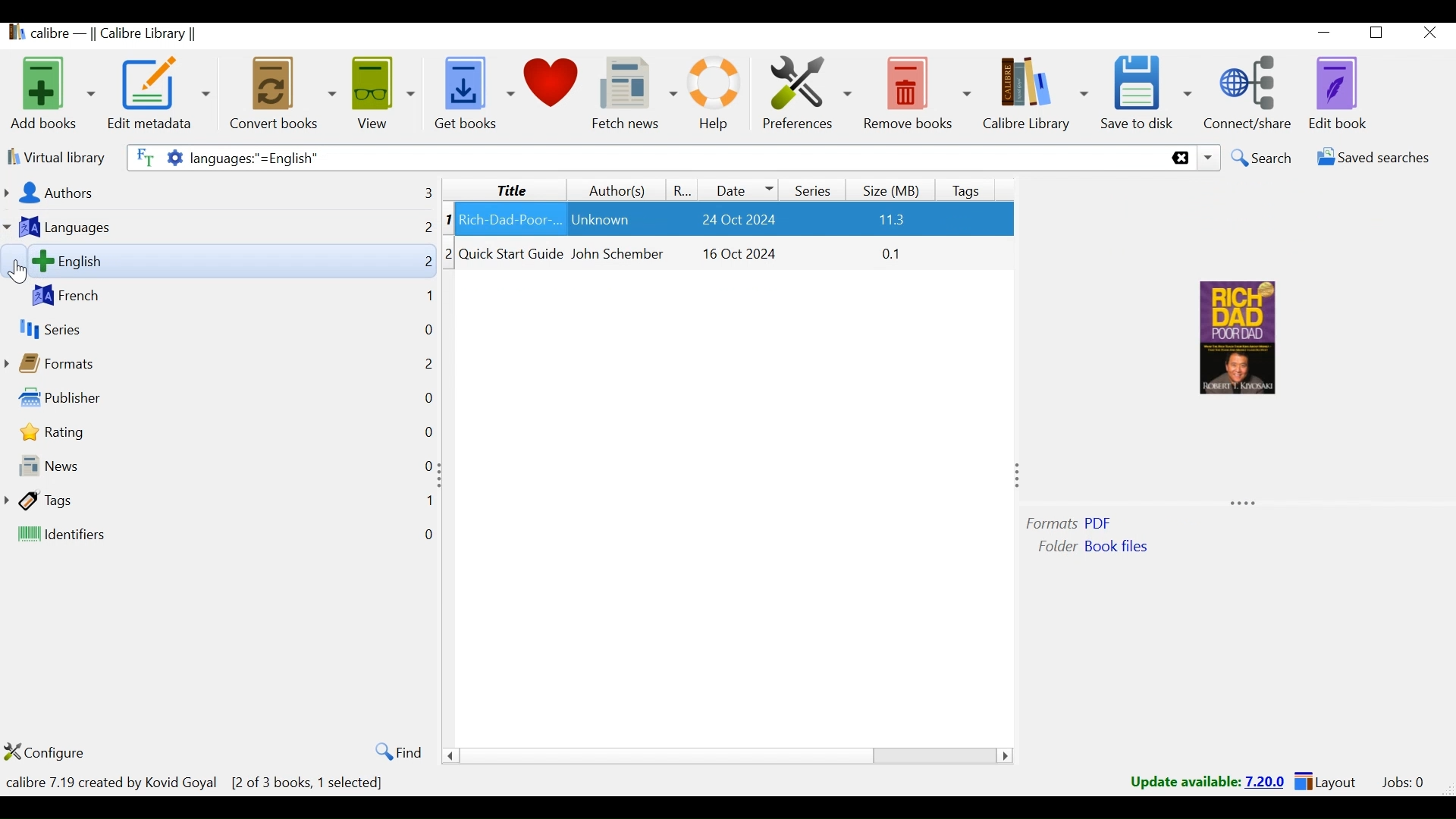 The height and width of the screenshot is (819, 1456). Describe the element at coordinates (714, 93) in the screenshot. I see `Help` at that location.